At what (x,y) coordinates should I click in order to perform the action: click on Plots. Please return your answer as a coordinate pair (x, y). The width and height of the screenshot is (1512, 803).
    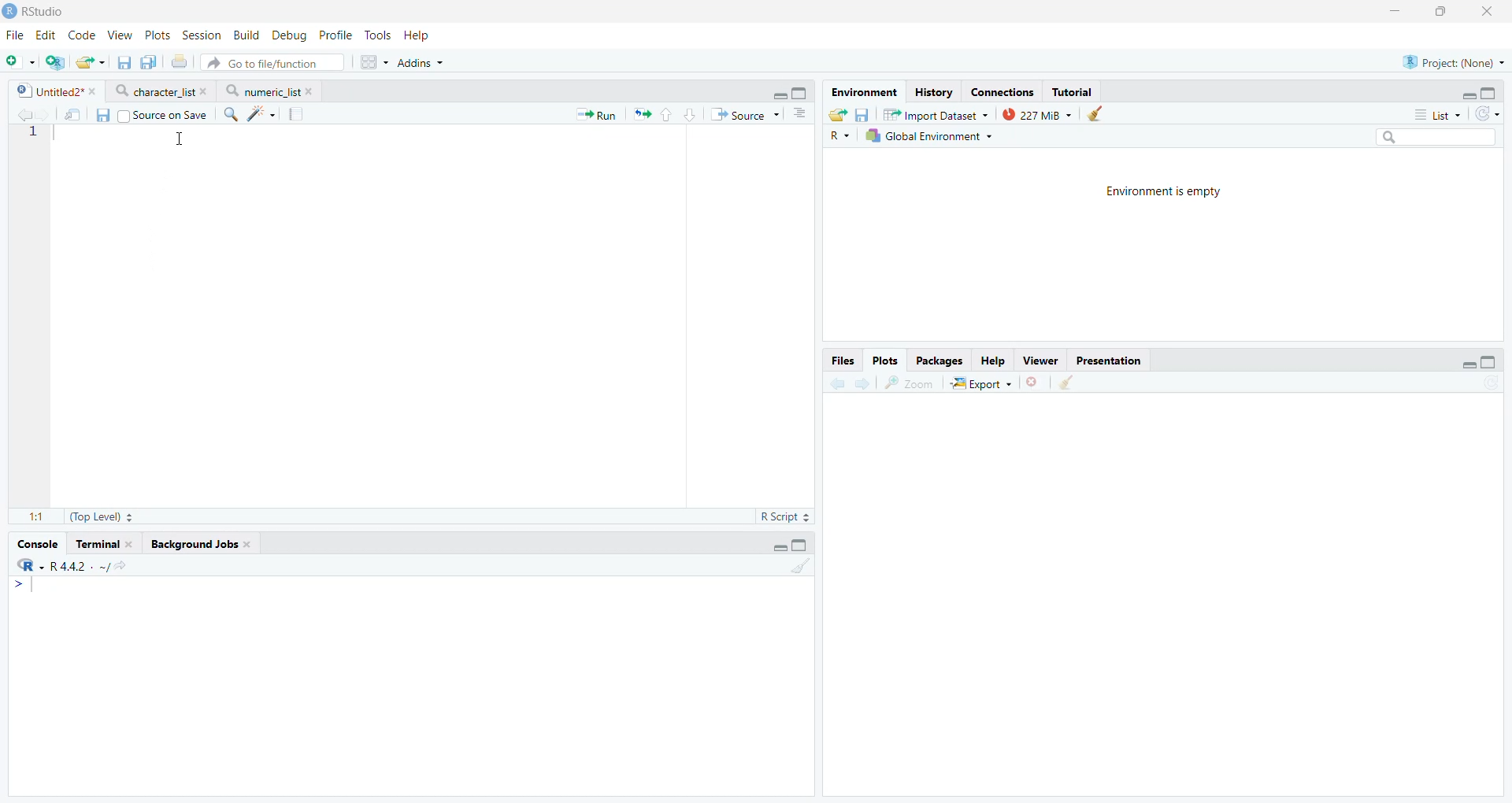
    Looking at the image, I should click on (885, 359).